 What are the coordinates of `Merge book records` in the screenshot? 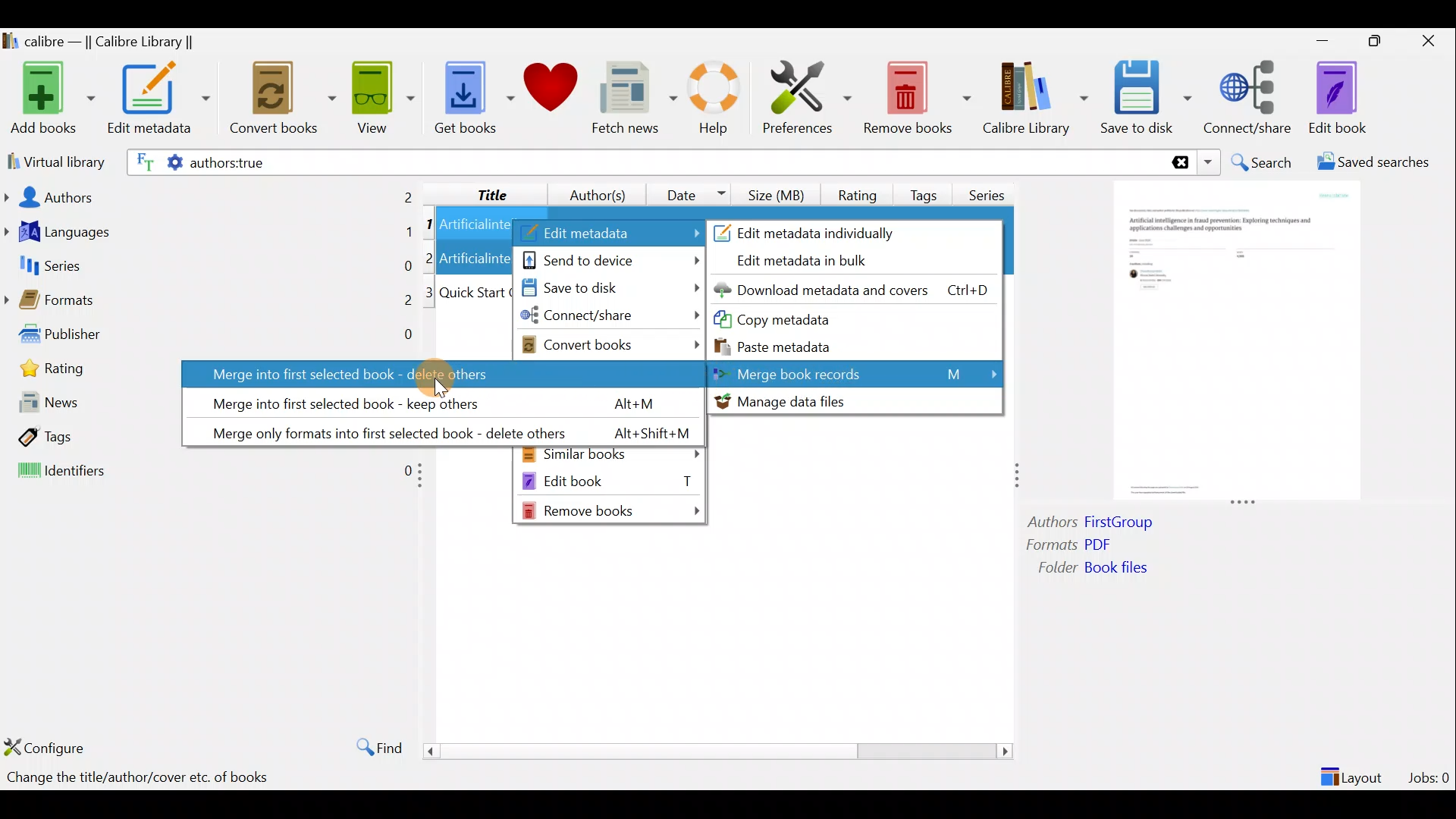 It's located at (858, 373).